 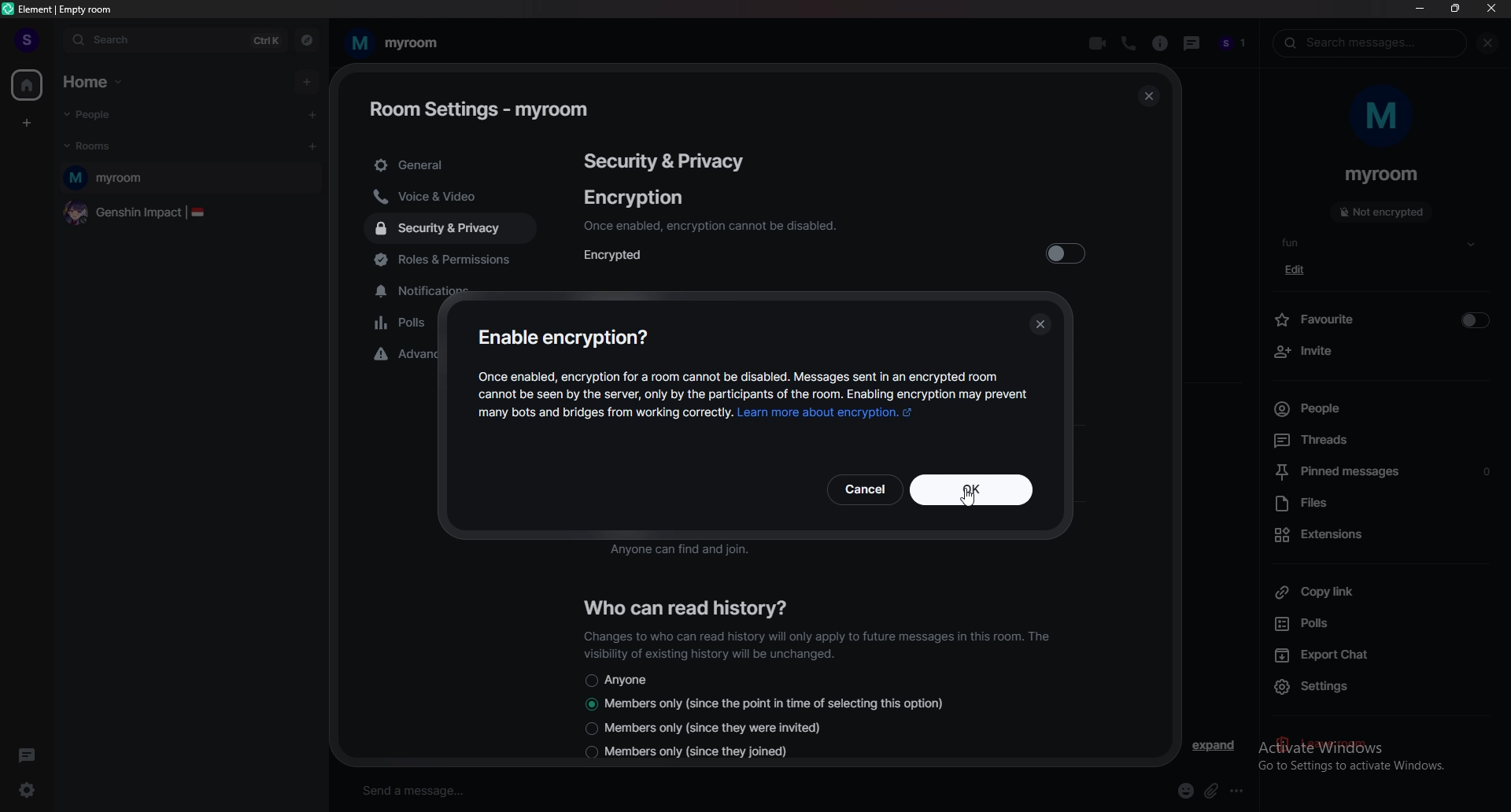 I want to click on notifications, so click(x=424, y=291).